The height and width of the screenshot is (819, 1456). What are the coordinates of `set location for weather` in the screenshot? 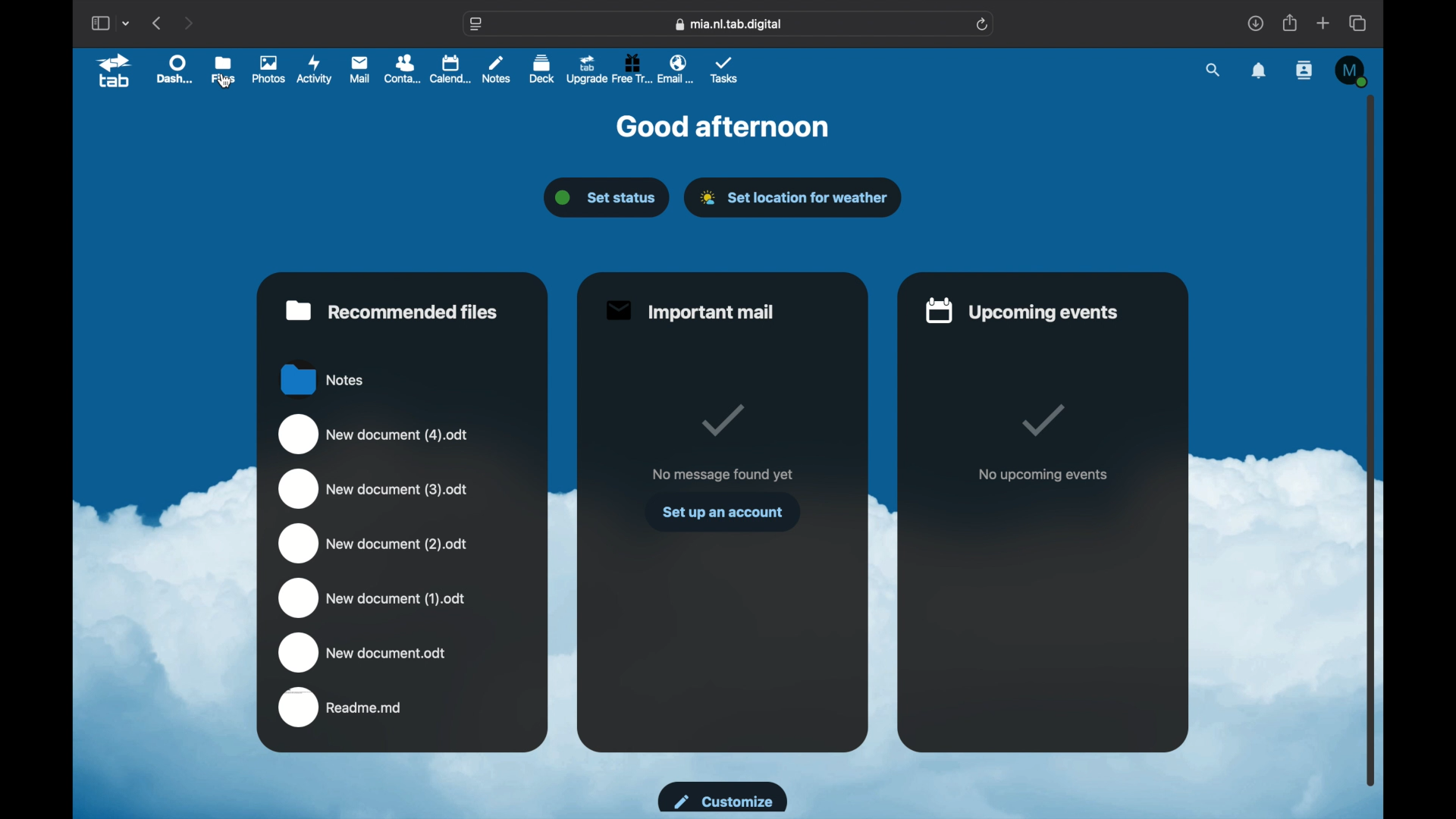 It's located at (793, 197).